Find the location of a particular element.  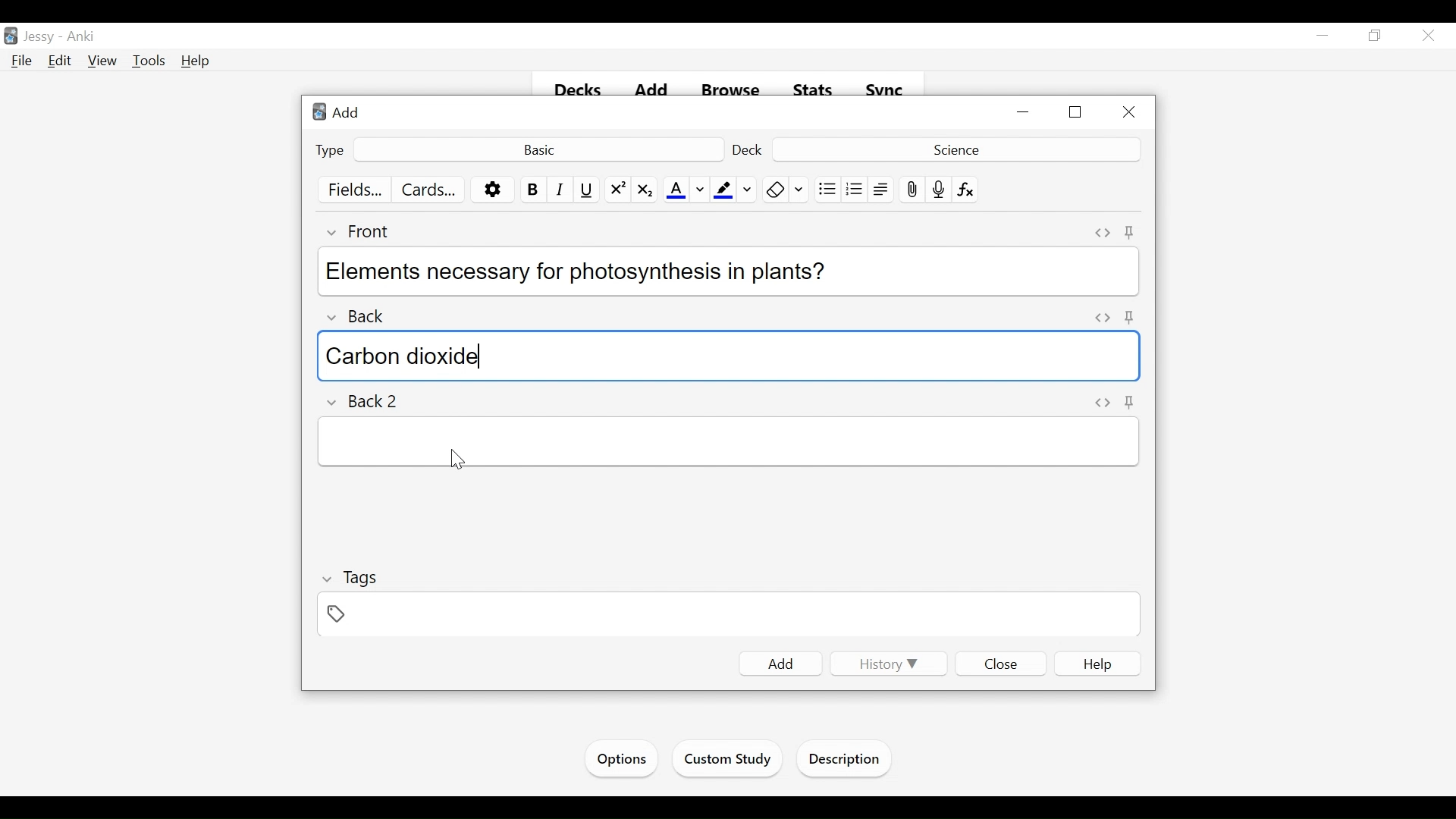

User Name is located at coordinates (42, 37).